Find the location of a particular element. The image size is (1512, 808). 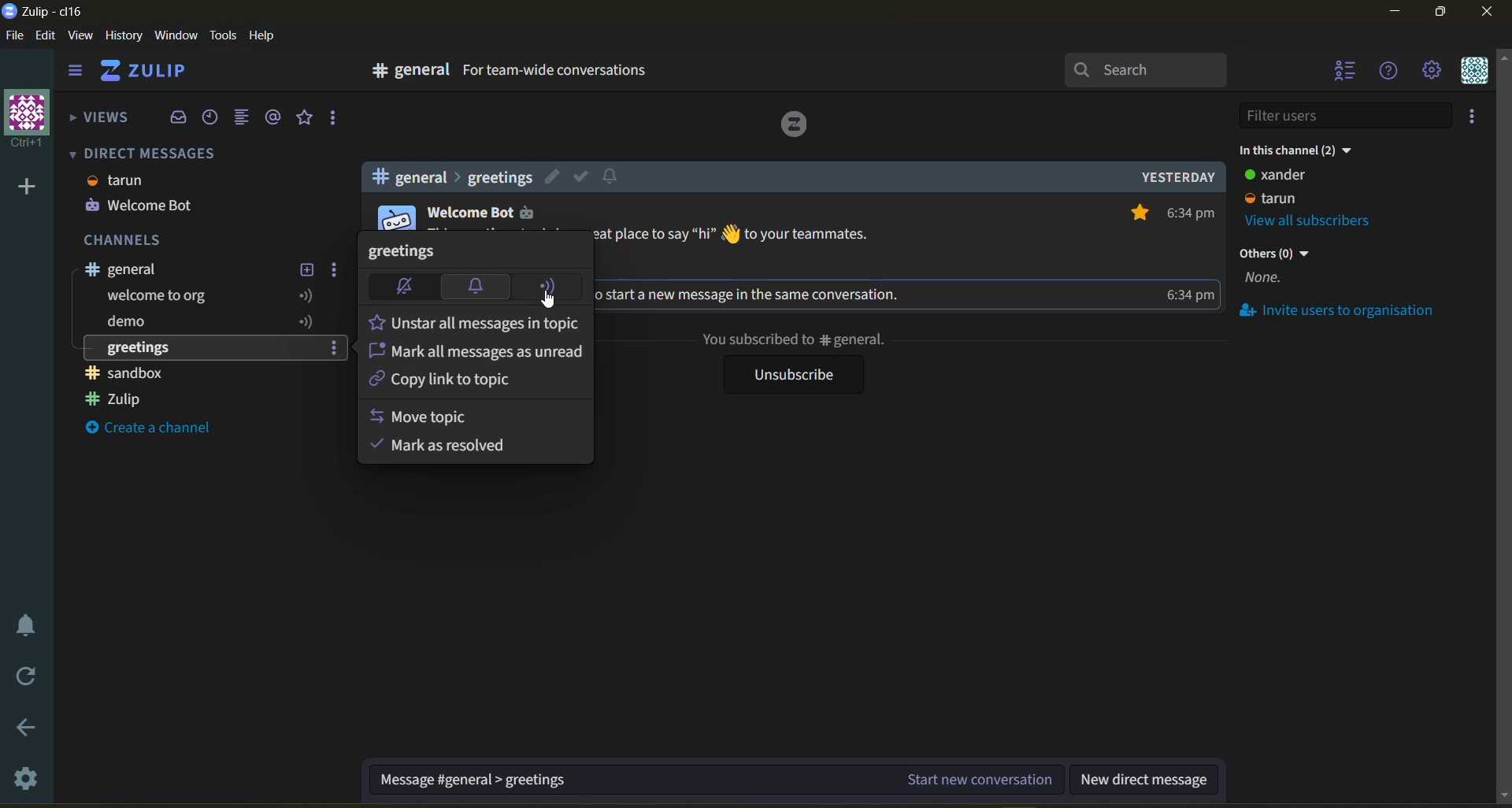

time is located at coordinates (1191, 256).